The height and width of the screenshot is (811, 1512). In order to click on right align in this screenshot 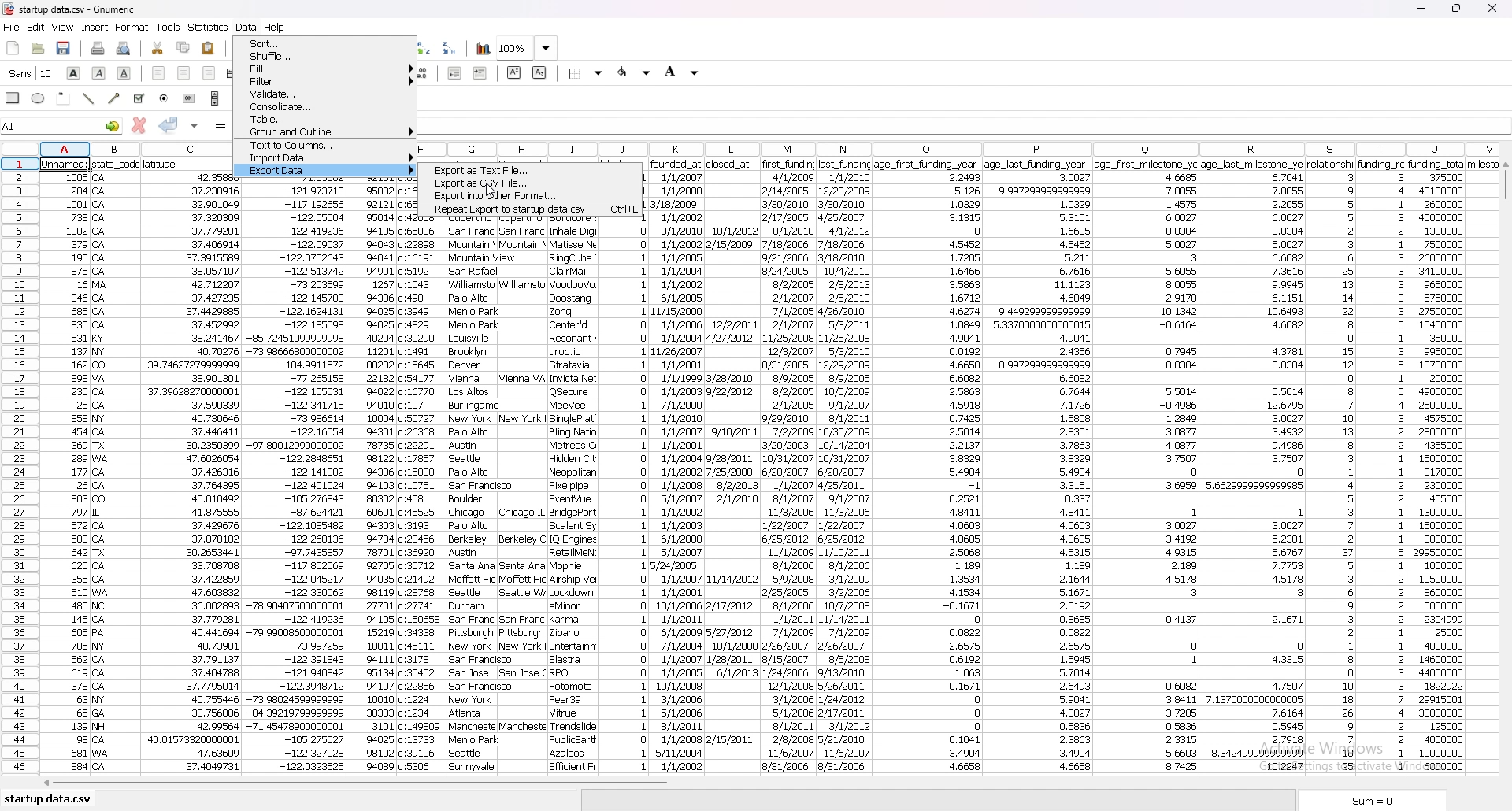, I will do `click(209, 73)`.